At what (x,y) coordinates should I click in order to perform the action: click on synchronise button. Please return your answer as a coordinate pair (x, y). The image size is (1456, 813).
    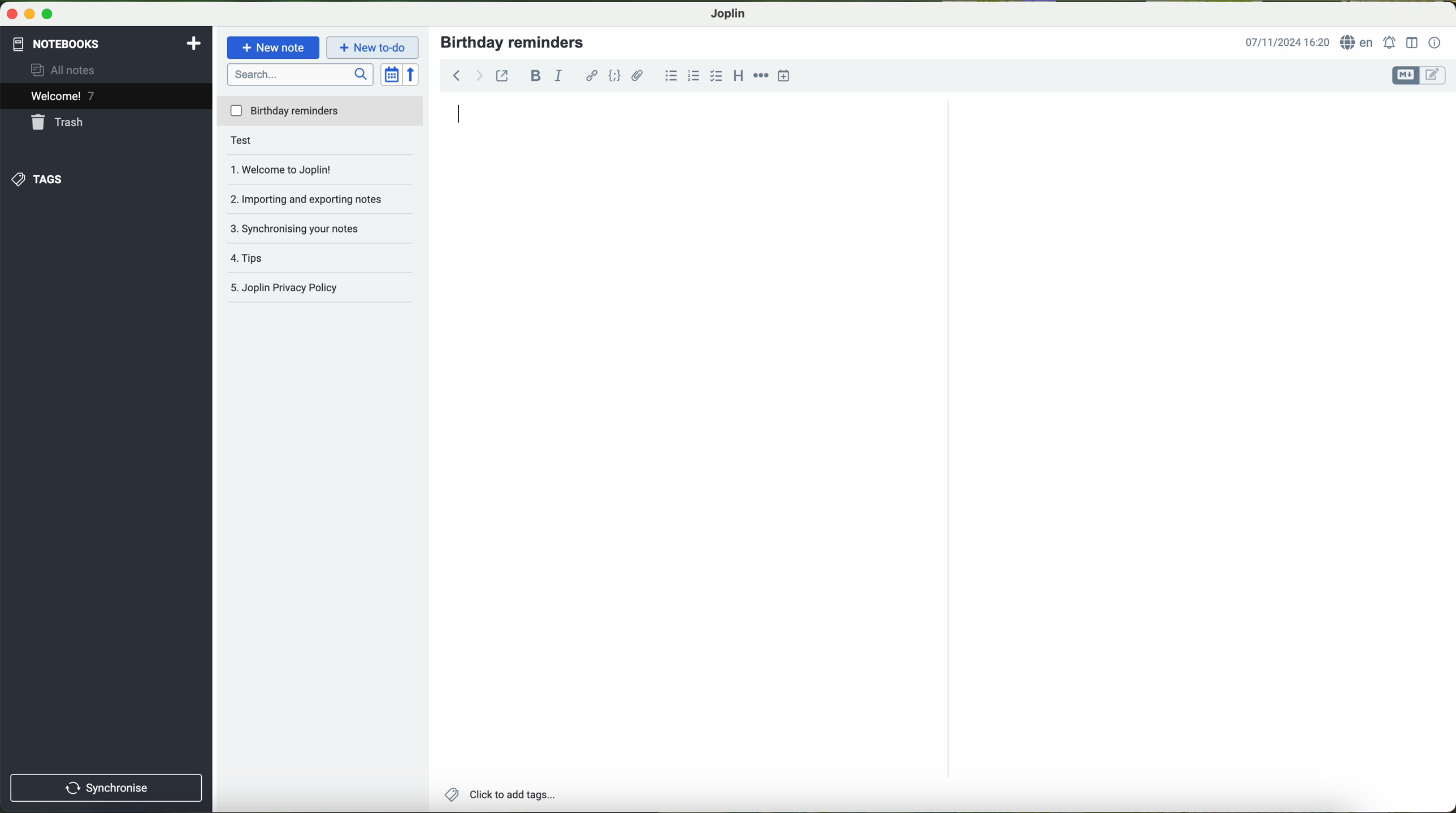
    Looking at the image, I should click on (105, 786).